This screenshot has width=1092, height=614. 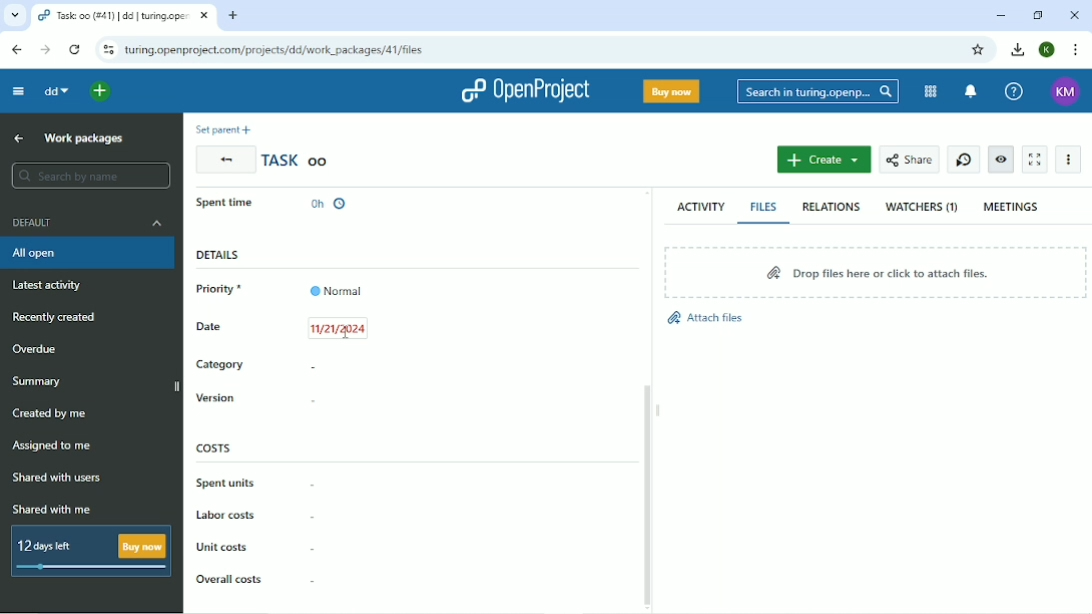 What do you see at coordinates (215, 398) in the screenshot?
I see `Version` at bounding box center [215, 398].